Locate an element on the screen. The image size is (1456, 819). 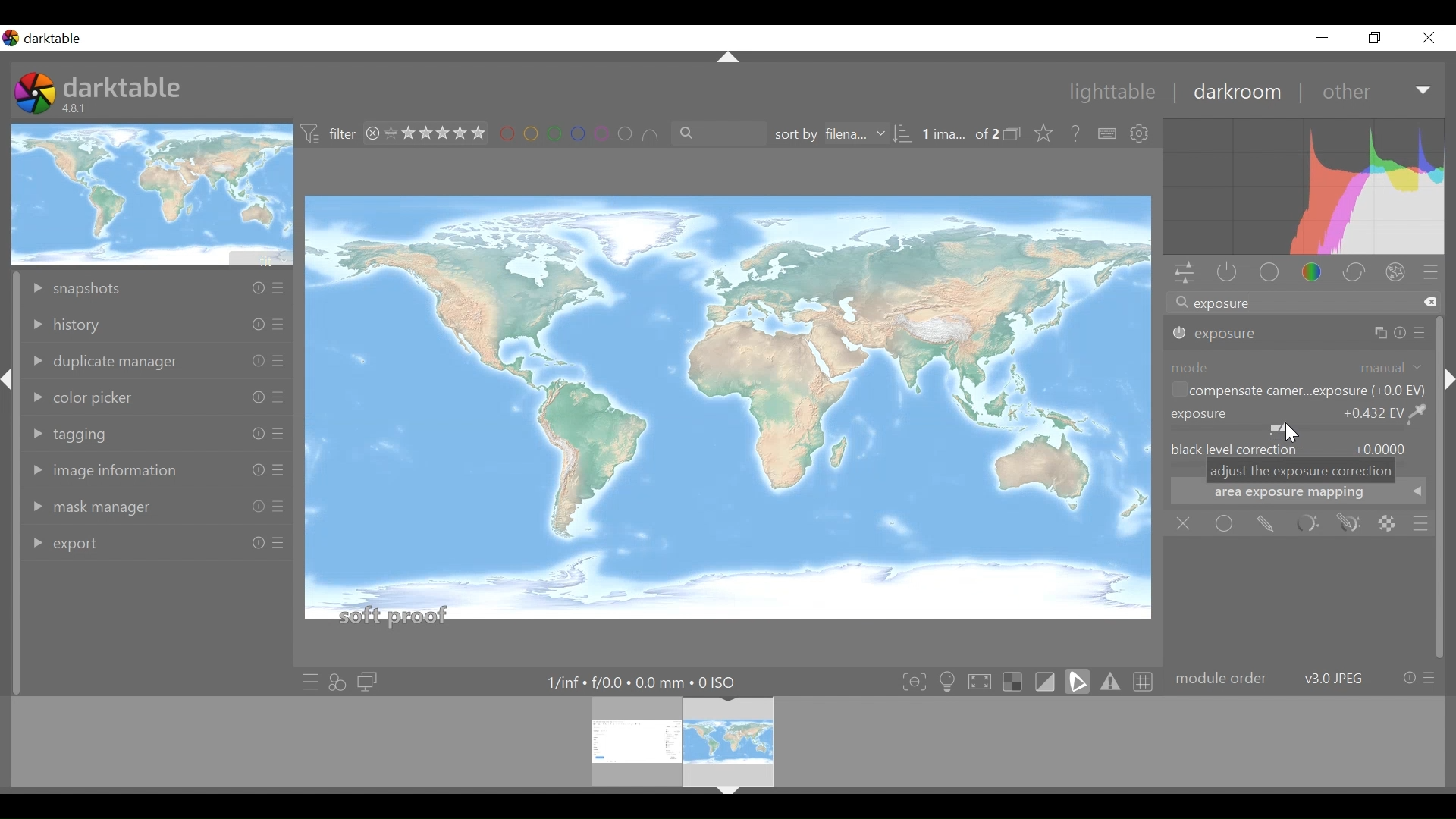
toggle indication of raw overexposure is located at coordinates (1017, 681).